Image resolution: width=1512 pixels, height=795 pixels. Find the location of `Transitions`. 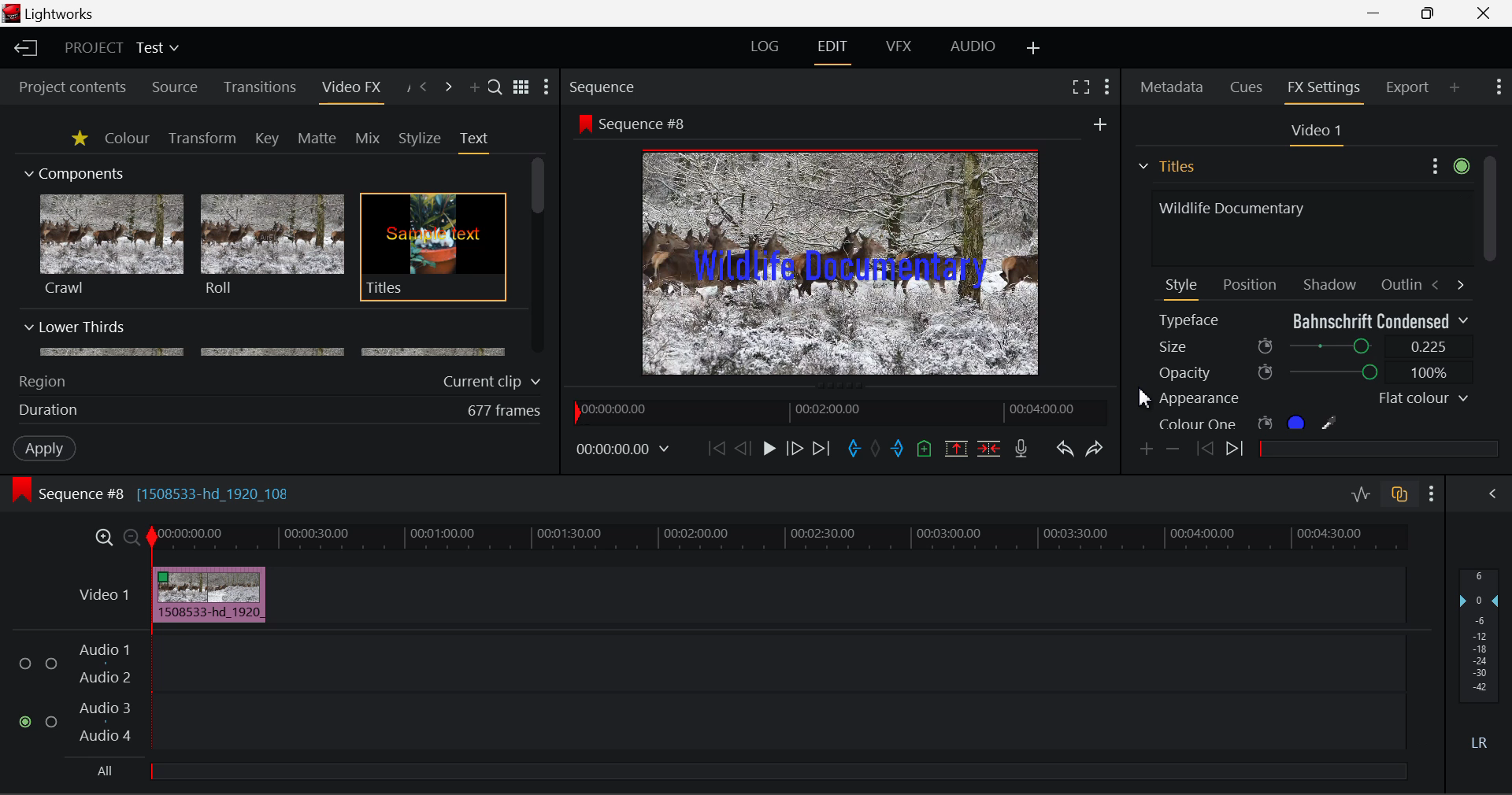

Transitions is located at coordinates (260, 87).